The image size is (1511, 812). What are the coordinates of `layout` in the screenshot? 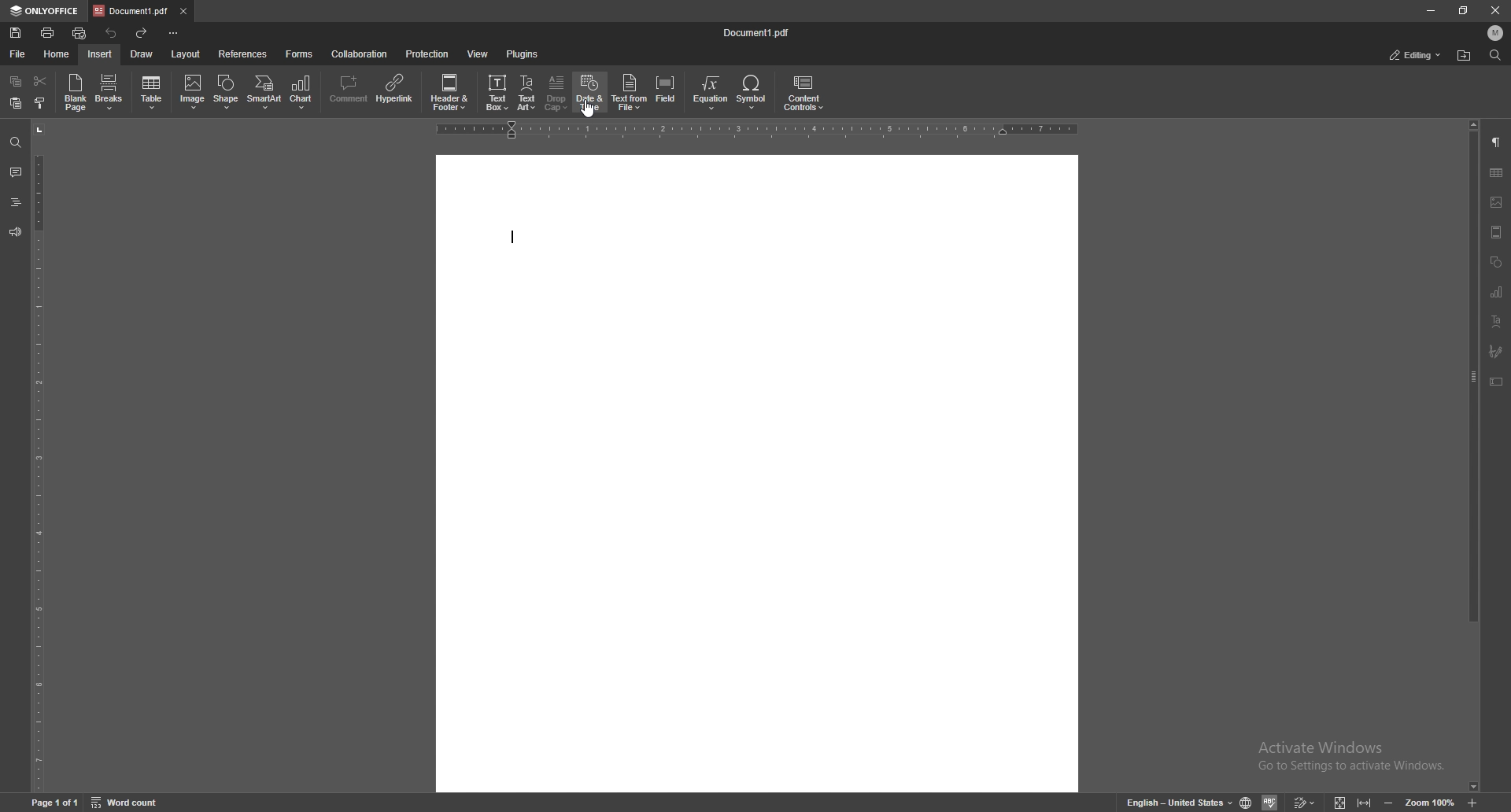 It's located at (187, 55).